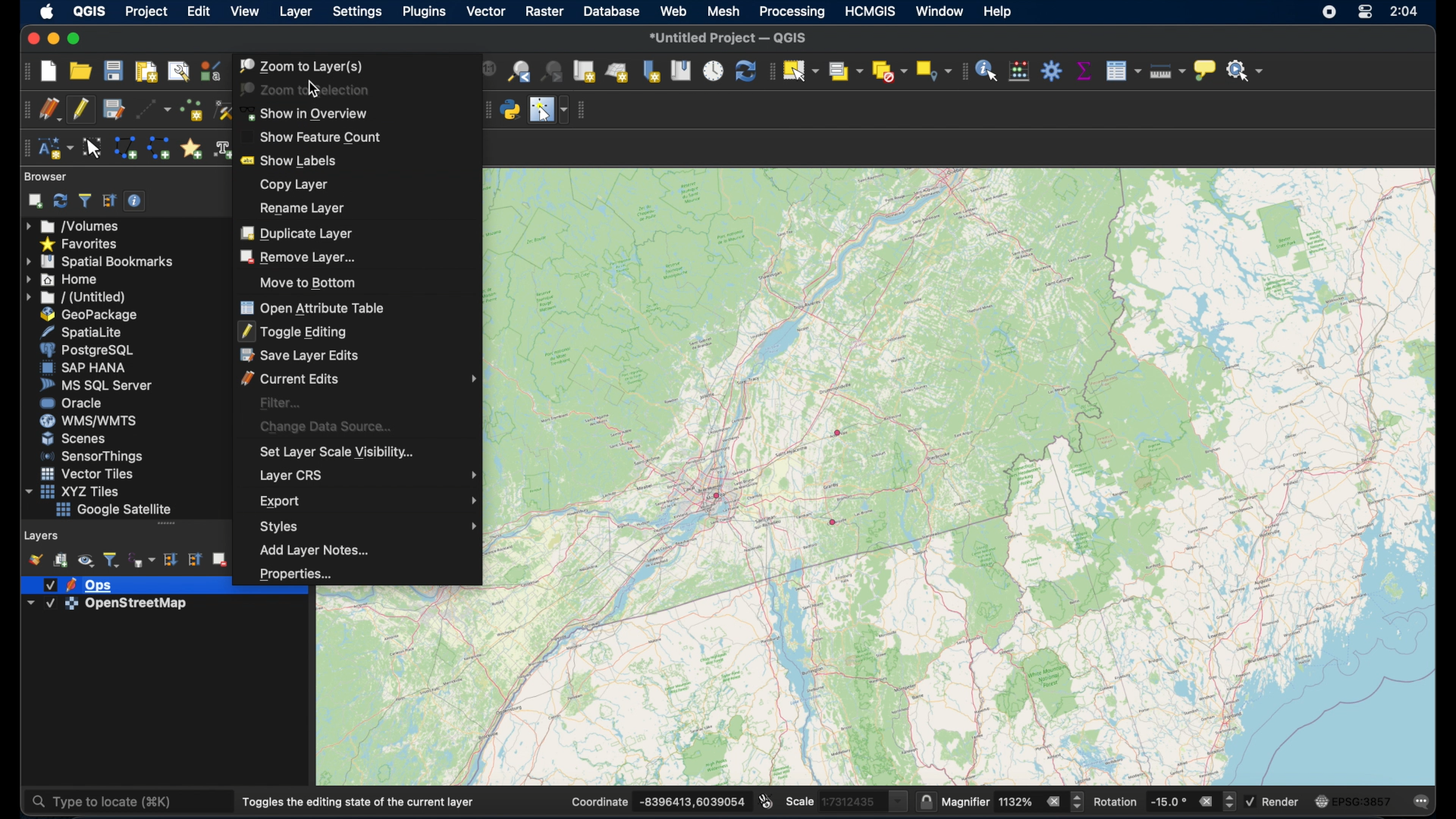  I want to click on create marker annotation, so click(190, 147).